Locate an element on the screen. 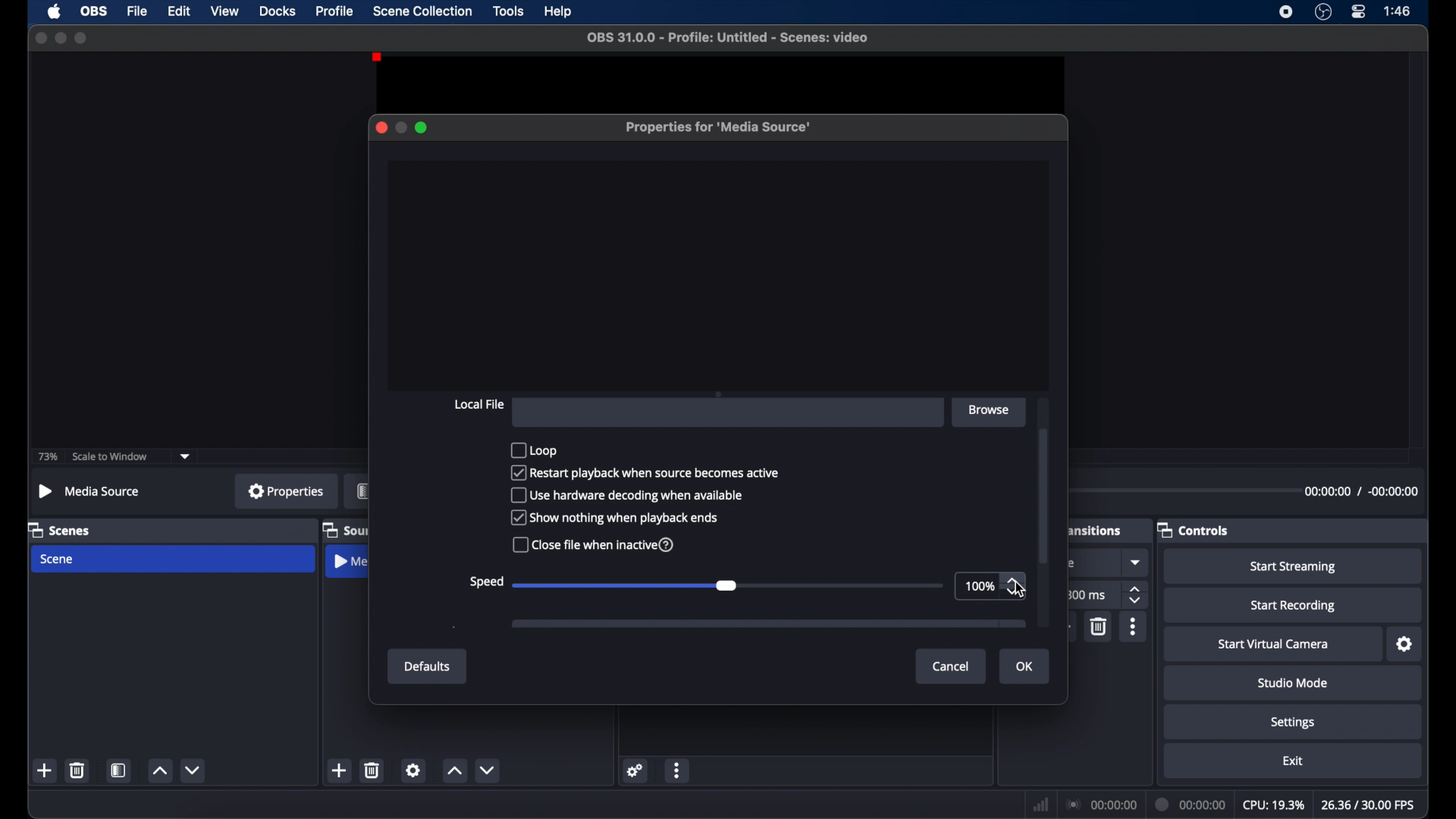 The height and width of the screenshot is (819, 1456). minimize is located at coordinates (400, 127).